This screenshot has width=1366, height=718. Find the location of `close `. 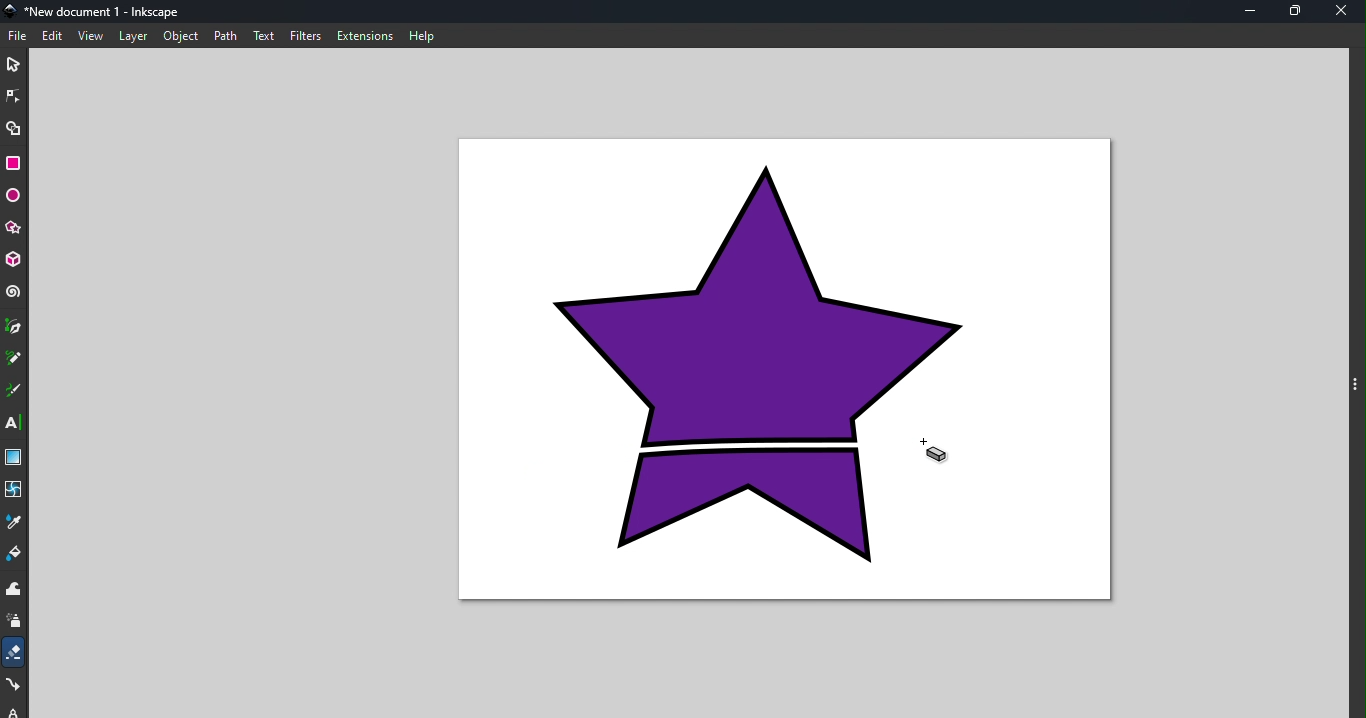

close  is located at coordinates (1346, 12).